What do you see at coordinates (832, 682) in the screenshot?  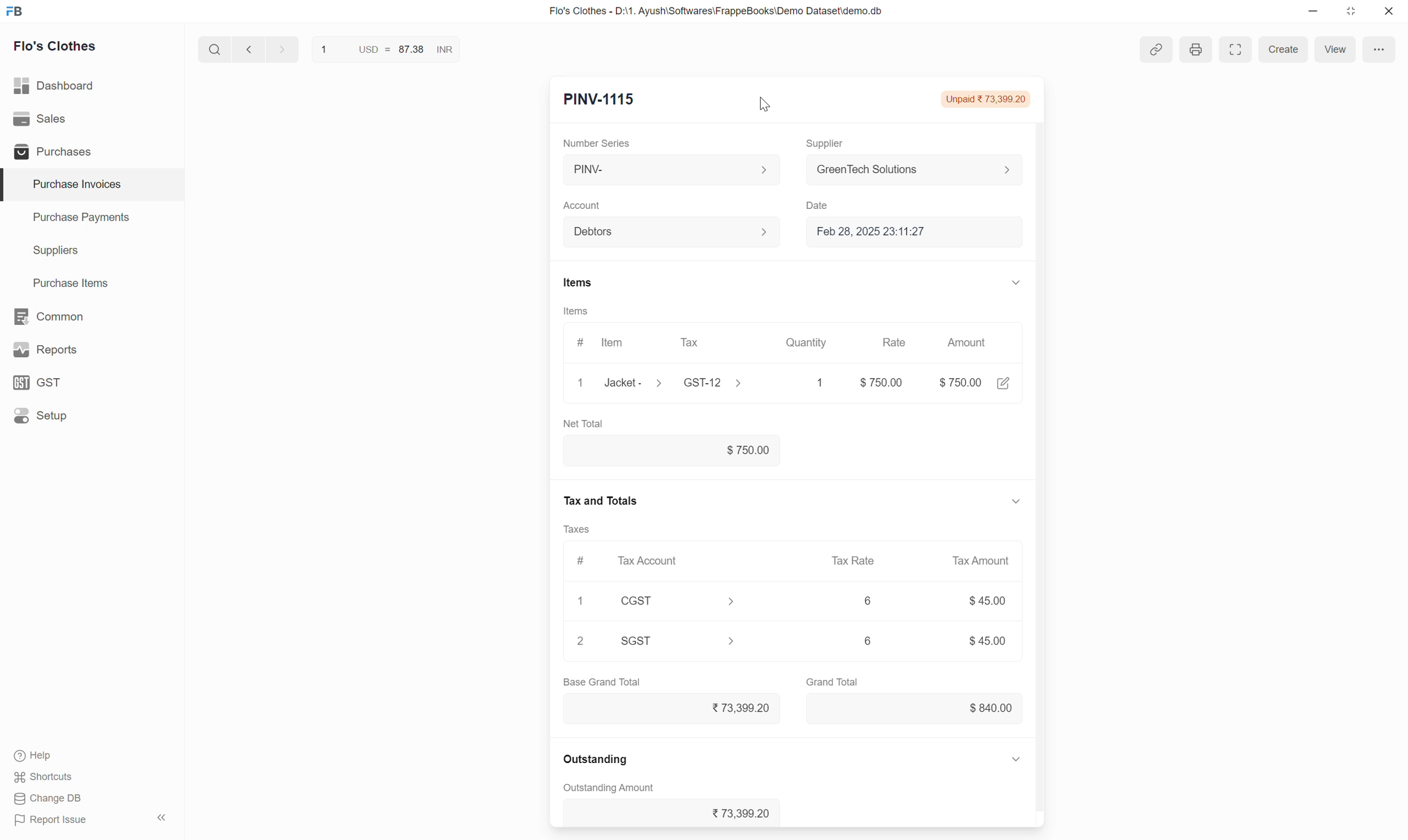 I see `Grand Total` at bounding box center [832, 682].